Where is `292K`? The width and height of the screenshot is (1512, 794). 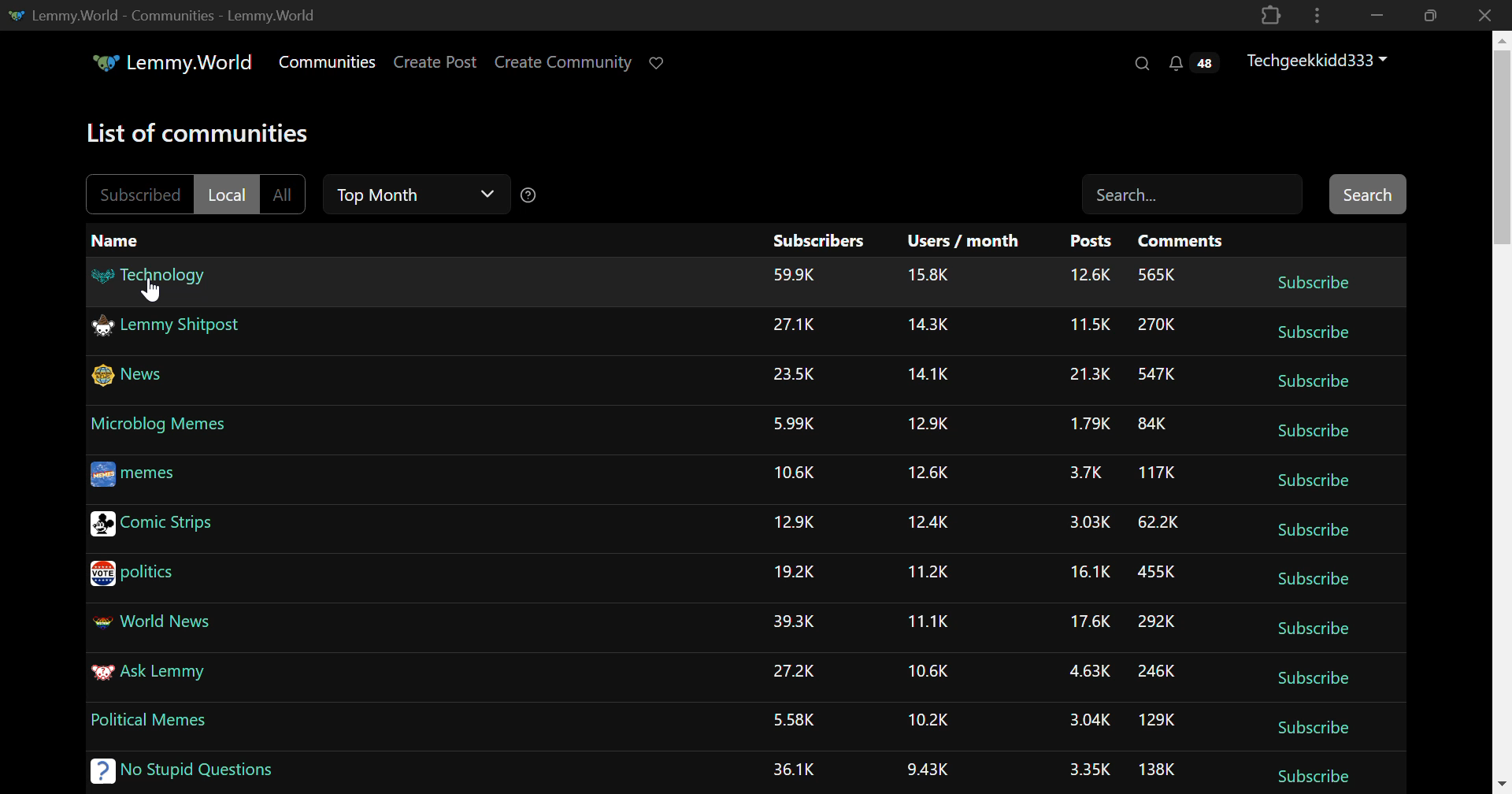 292K is located at coordinates (1156, 622).